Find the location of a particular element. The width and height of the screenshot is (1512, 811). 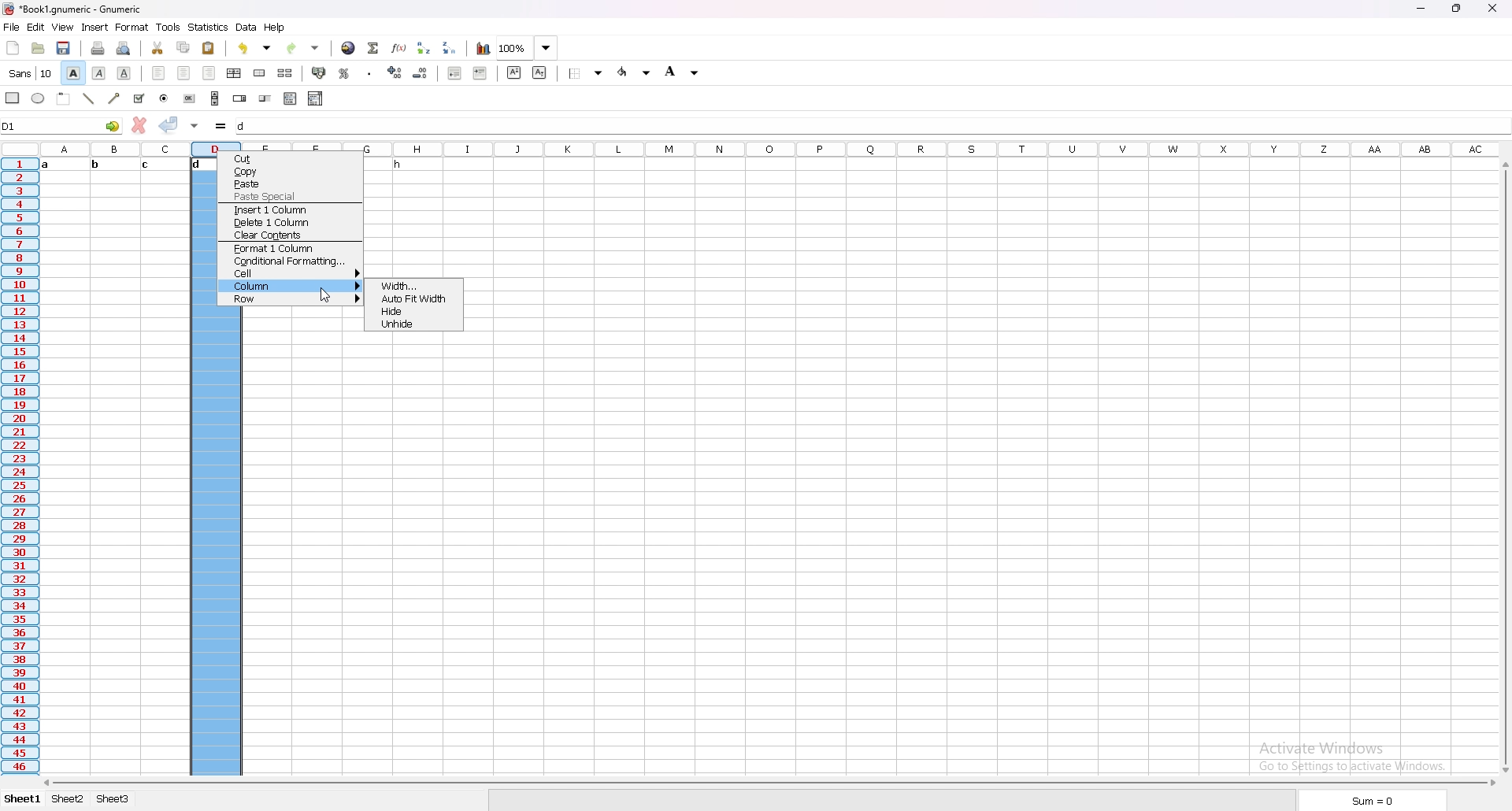

font is located at coordinates (29, 72).